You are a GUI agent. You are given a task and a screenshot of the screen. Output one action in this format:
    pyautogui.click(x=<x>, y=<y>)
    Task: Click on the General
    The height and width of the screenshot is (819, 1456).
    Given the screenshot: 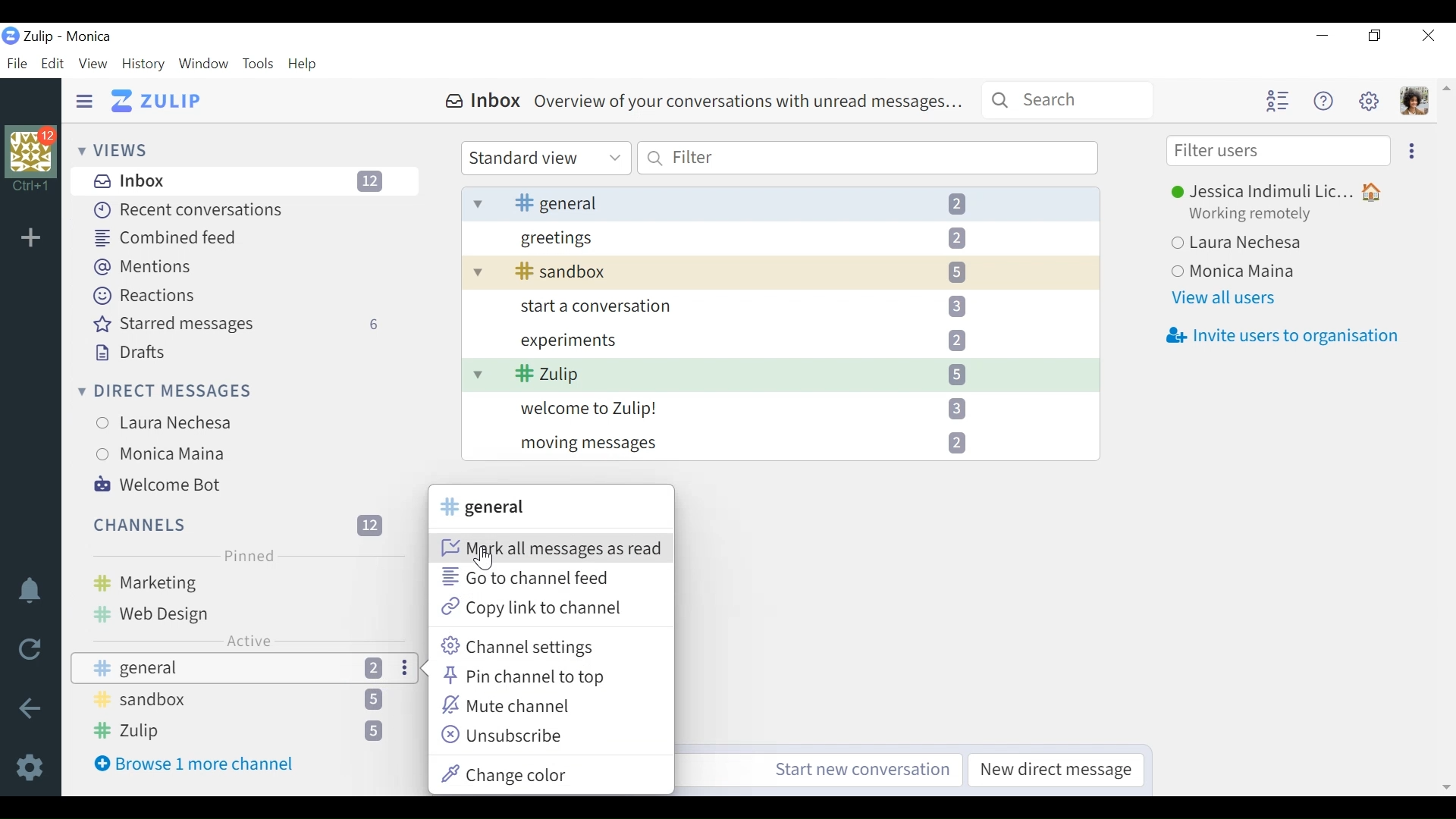 What is the action you would take?
    pyautogui.click(x=202, y=668)
    